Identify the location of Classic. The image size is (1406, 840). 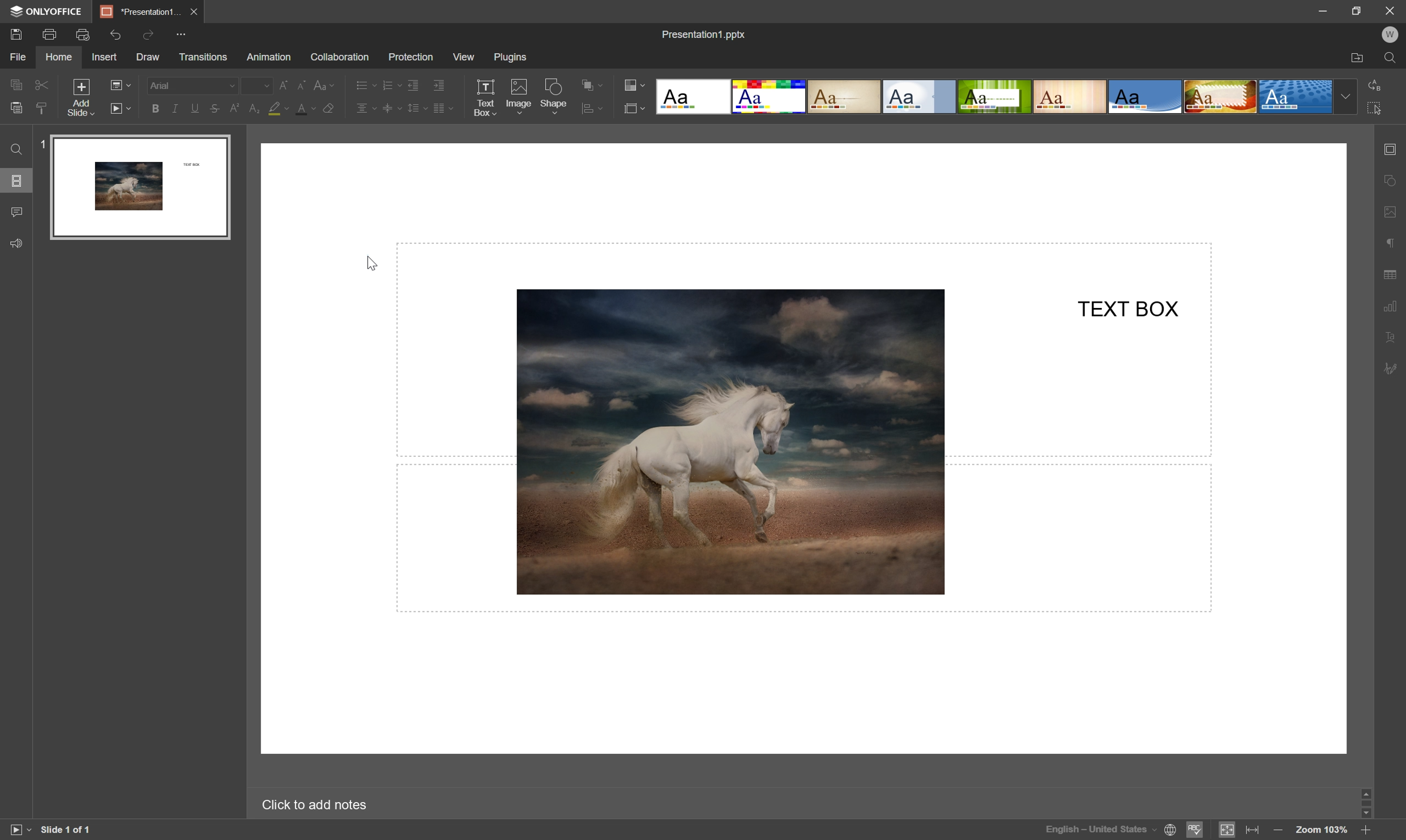
(845, 98).